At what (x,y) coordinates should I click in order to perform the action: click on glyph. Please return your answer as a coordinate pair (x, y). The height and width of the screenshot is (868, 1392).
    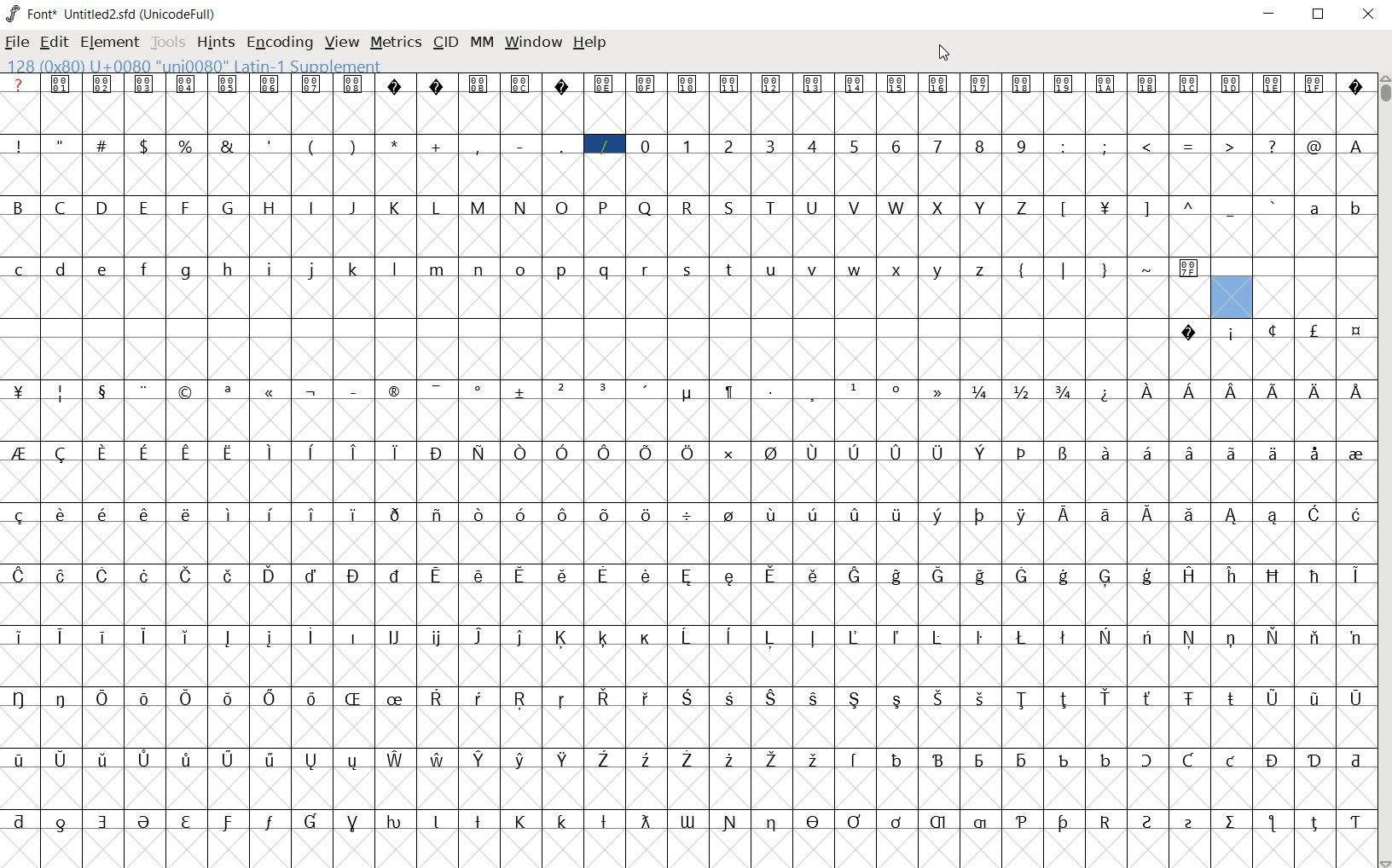
    Looking at the image, I should click on (102, 453).